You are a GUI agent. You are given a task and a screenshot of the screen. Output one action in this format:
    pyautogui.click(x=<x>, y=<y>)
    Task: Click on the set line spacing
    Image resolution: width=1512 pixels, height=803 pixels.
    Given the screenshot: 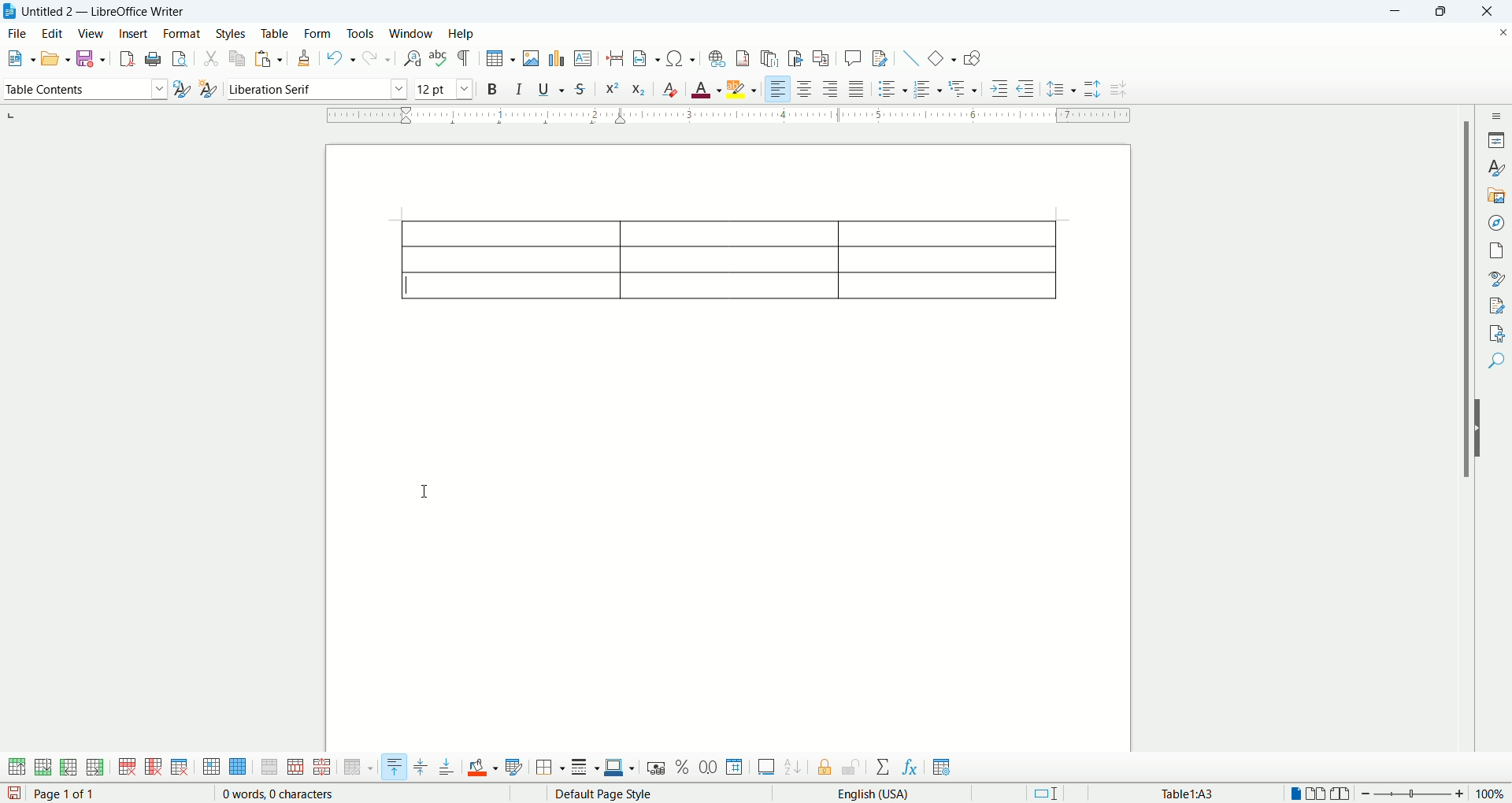 What is the action you would take?
    pyautogui.click(x=1061, y=88)
    